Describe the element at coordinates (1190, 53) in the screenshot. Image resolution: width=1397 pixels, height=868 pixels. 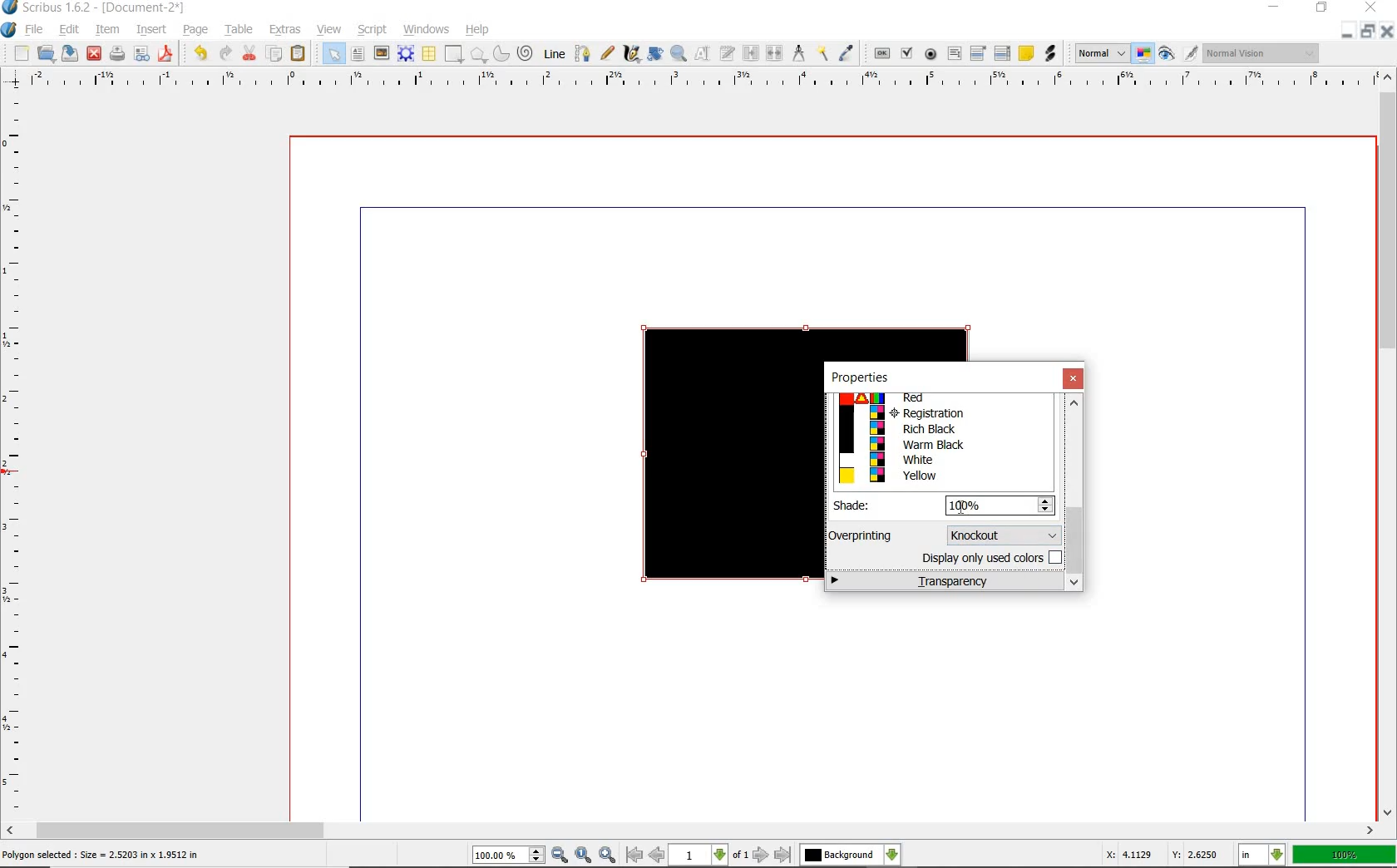
I see `edit in preview mode` at that location.